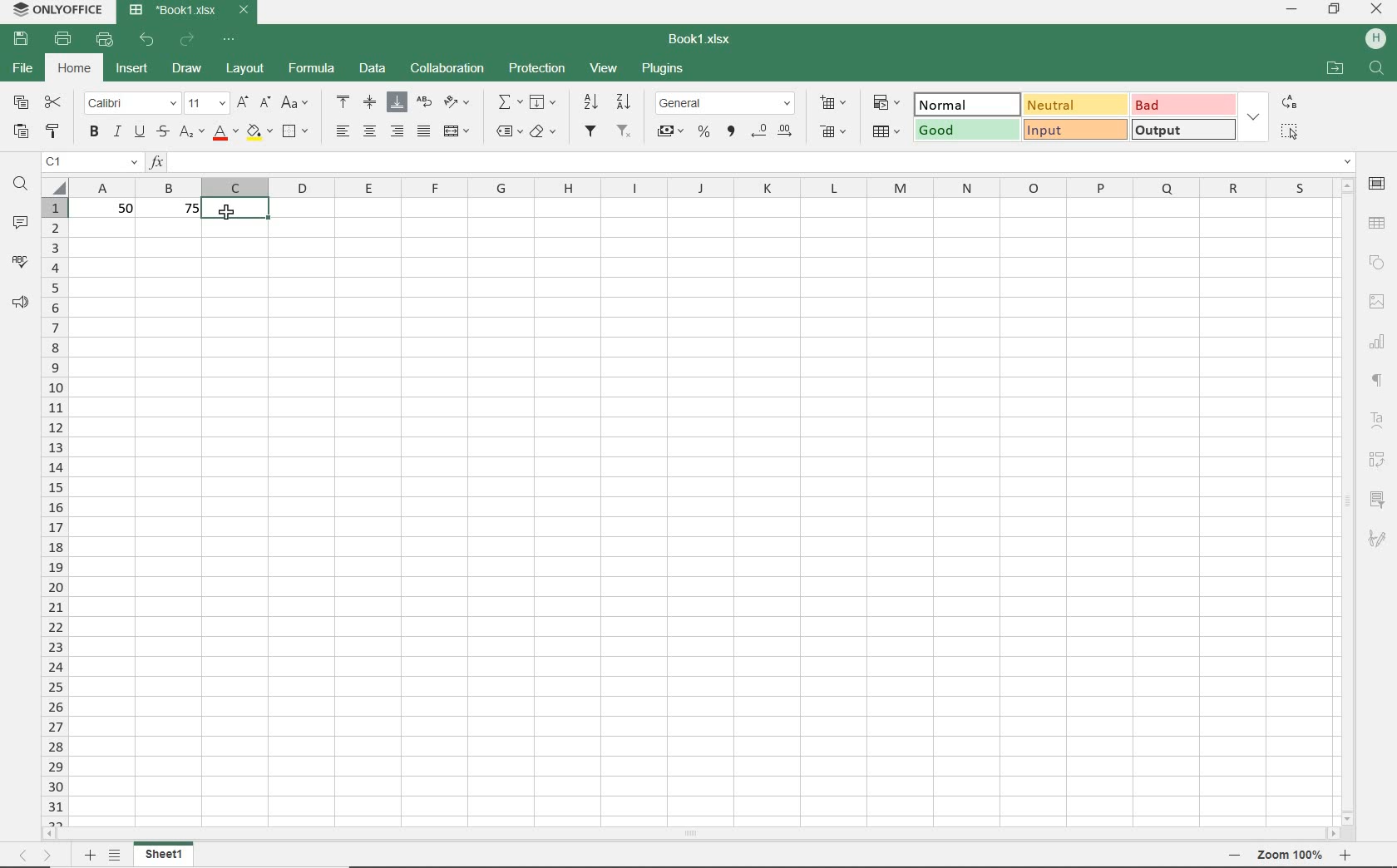  What do you see at coordinates (705, 133) in the screenshot?
I see `percent style` at bounding box center [705, 133].